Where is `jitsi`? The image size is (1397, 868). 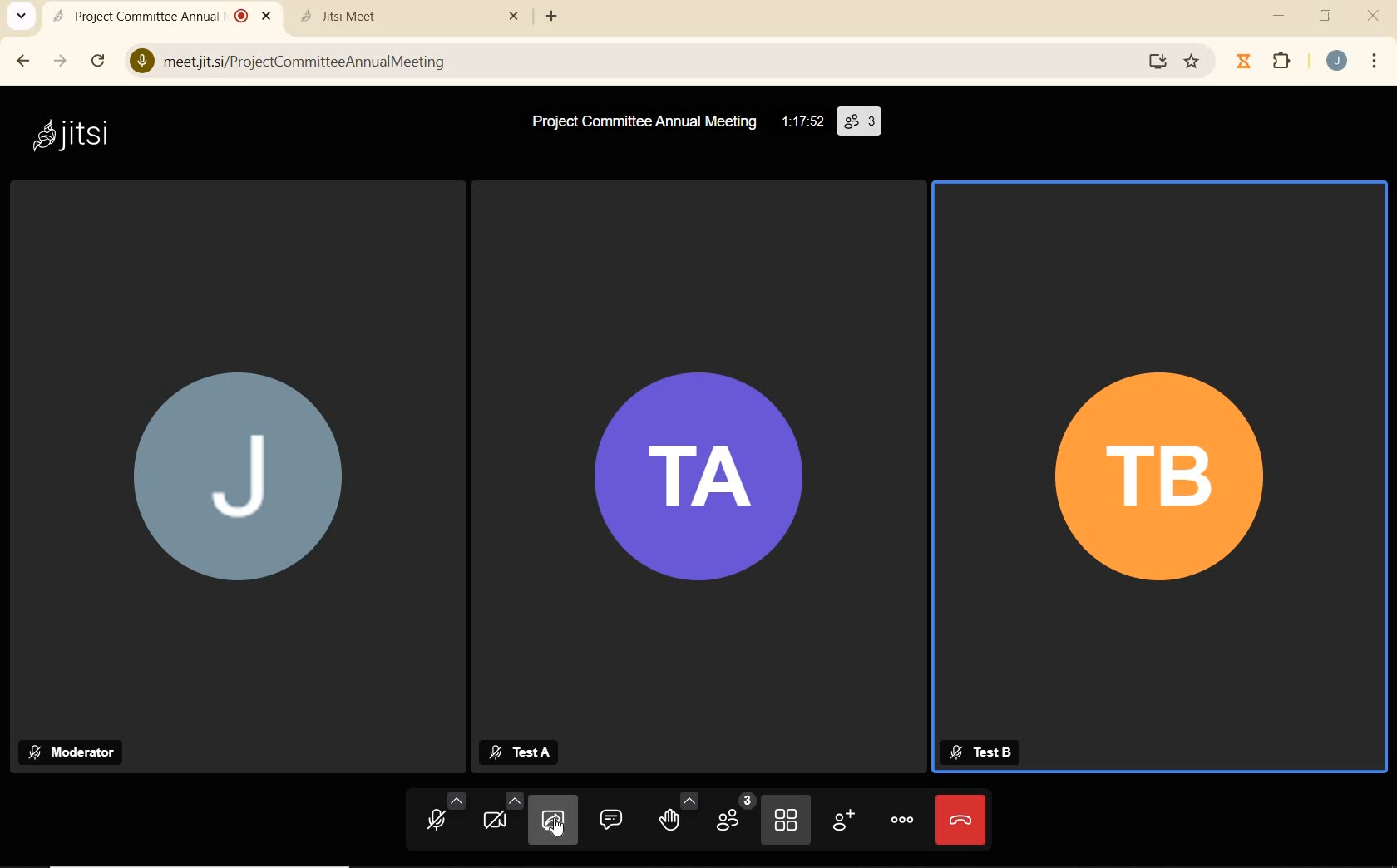 jitsi is located at coordinates (69, 134).